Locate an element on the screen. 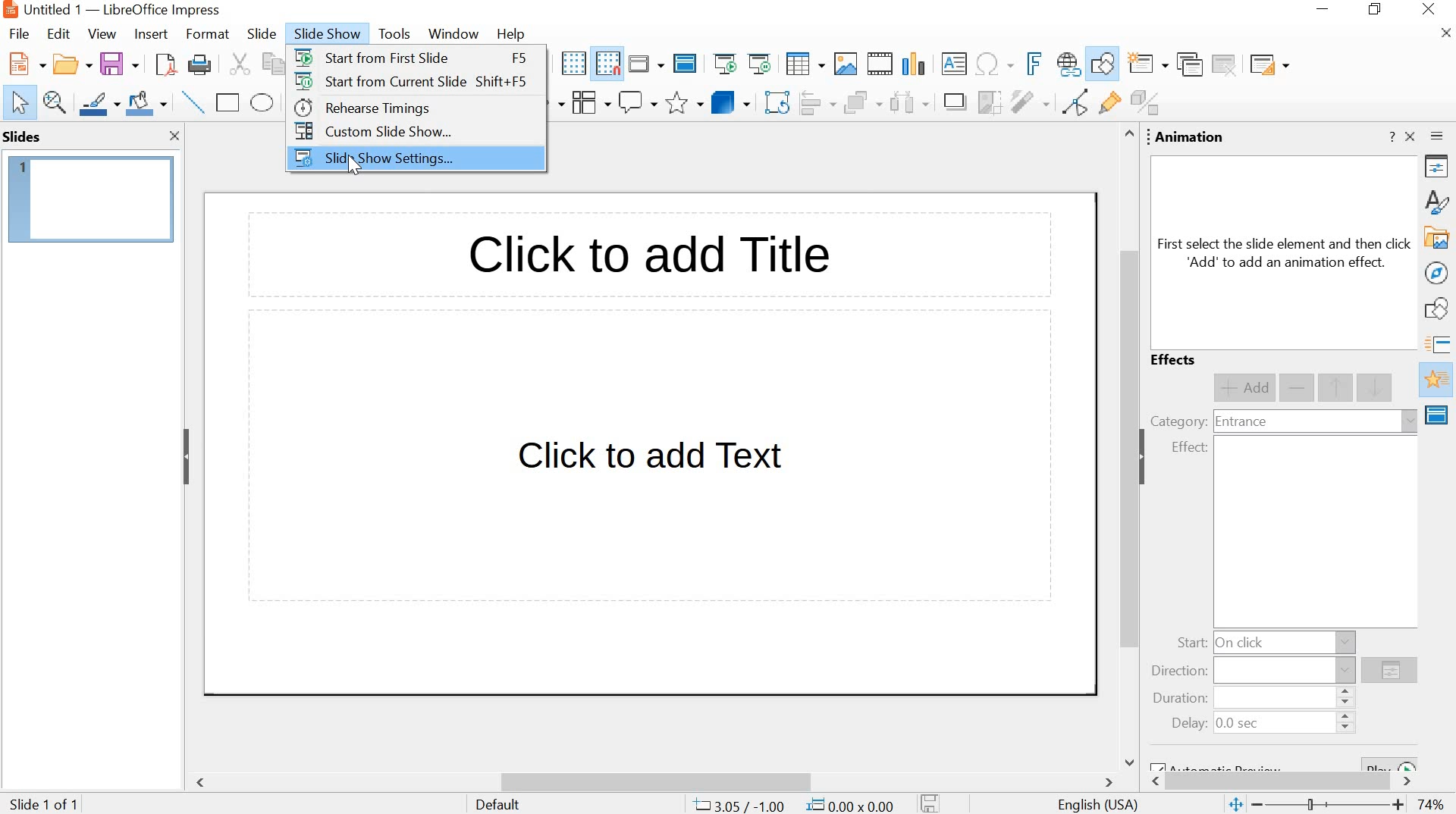 This screenshot has width=1456, height=814. master slides is located at coordinates (1439, 415).